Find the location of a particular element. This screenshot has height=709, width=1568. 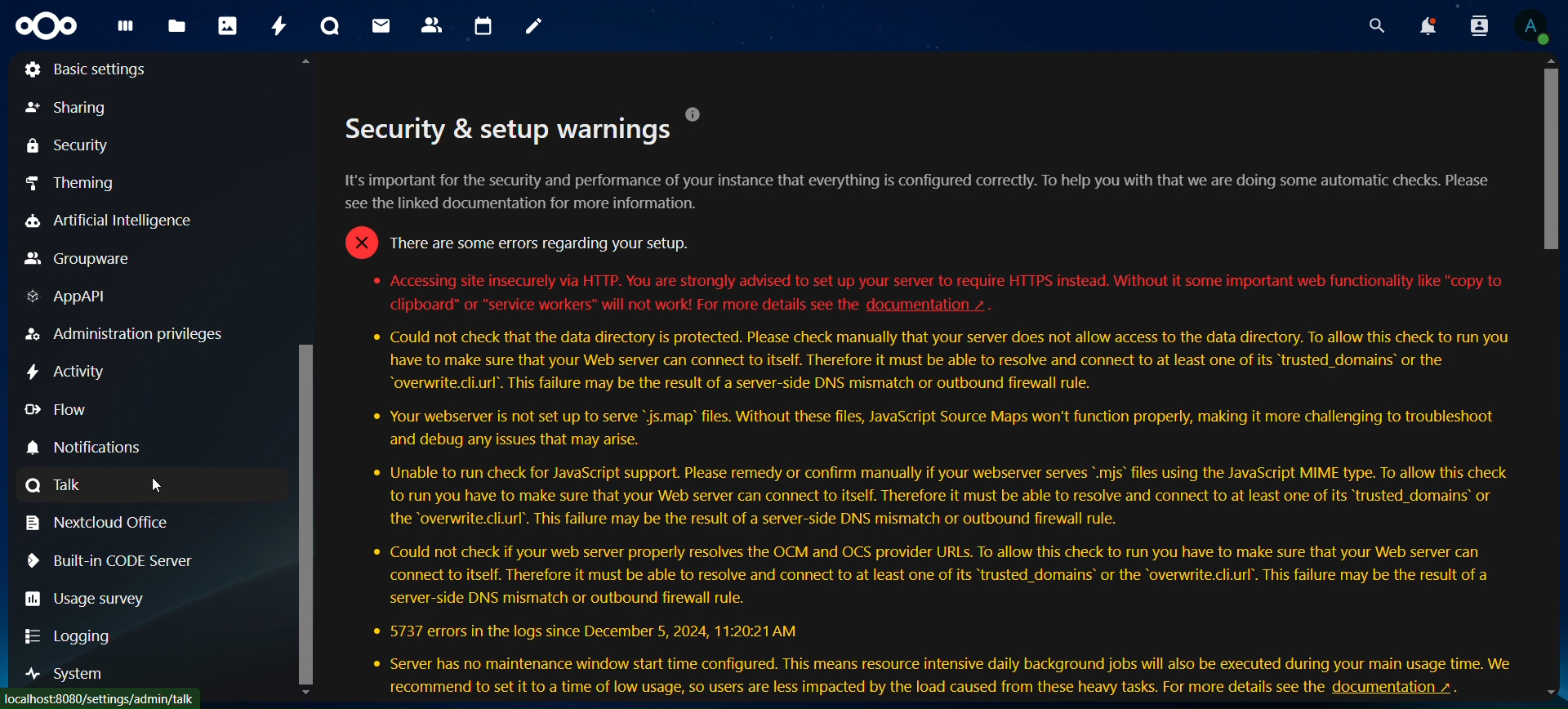

logging is located at coordinates (69, 637).